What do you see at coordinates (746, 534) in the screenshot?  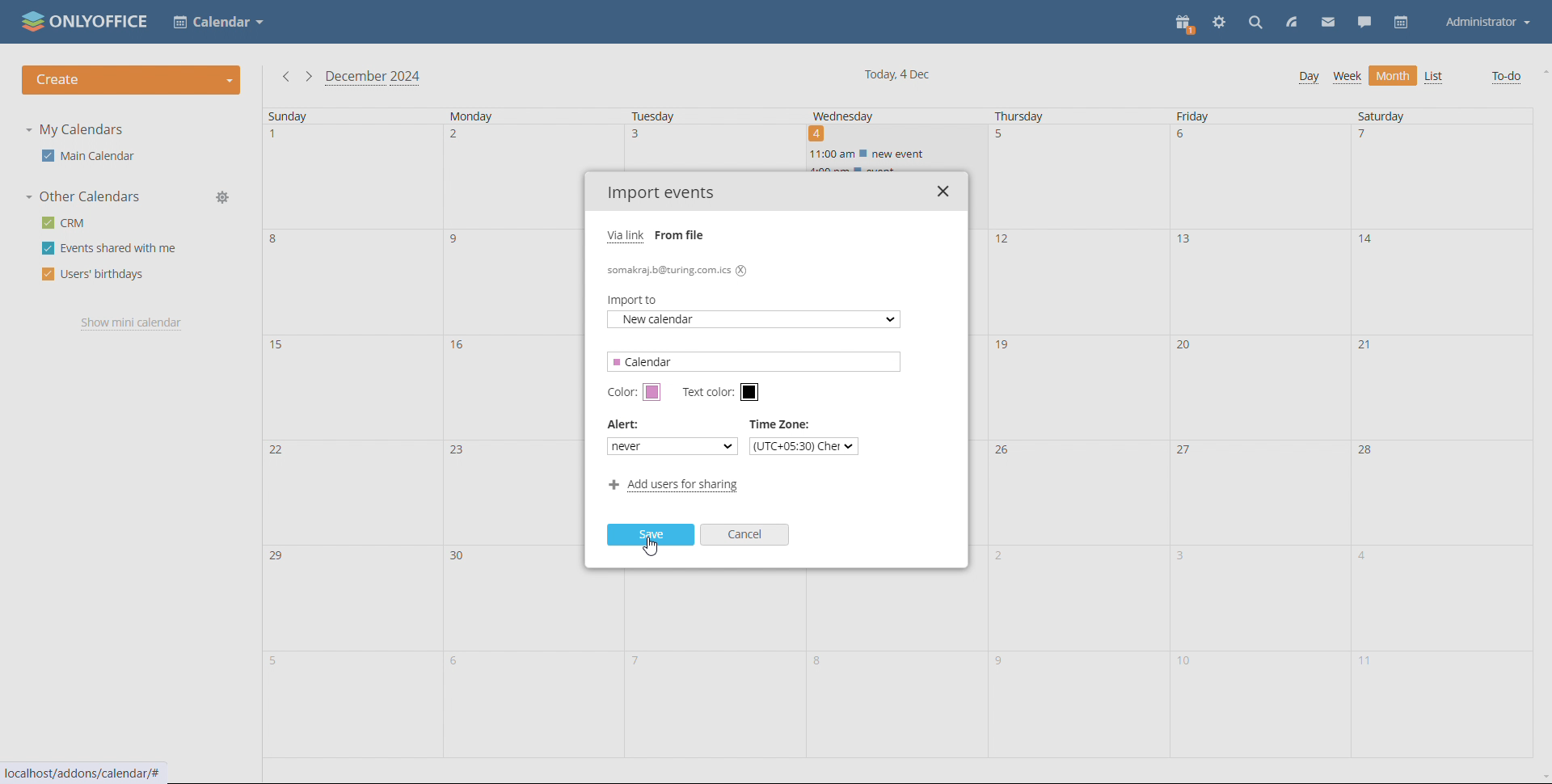 I see `cancel` at bounding box center [746, 534].